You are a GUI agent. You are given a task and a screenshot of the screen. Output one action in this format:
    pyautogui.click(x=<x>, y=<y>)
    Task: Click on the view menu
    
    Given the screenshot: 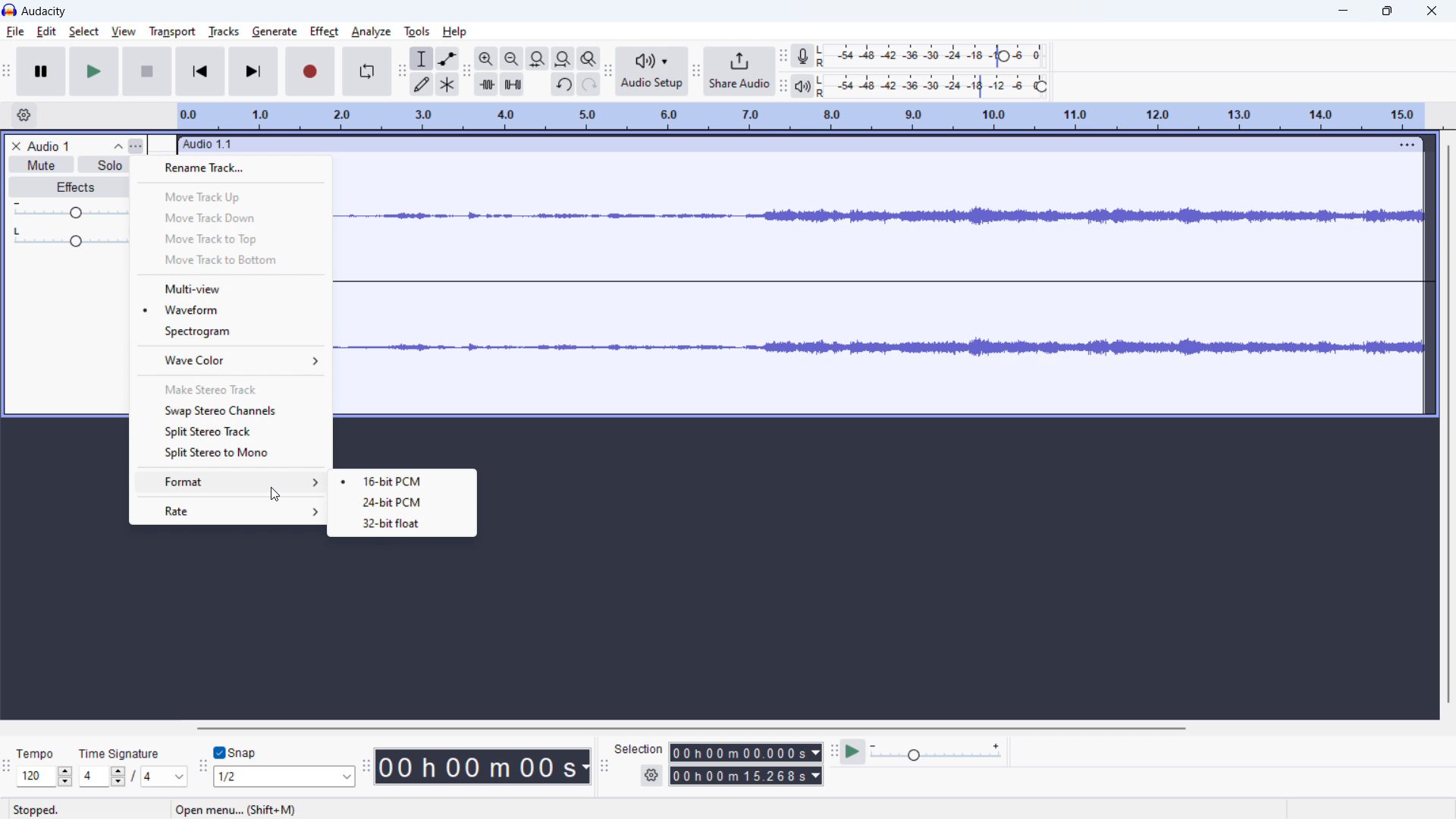 What is the action you would take?
    pyautogui.click(x=1404, y=144)
    